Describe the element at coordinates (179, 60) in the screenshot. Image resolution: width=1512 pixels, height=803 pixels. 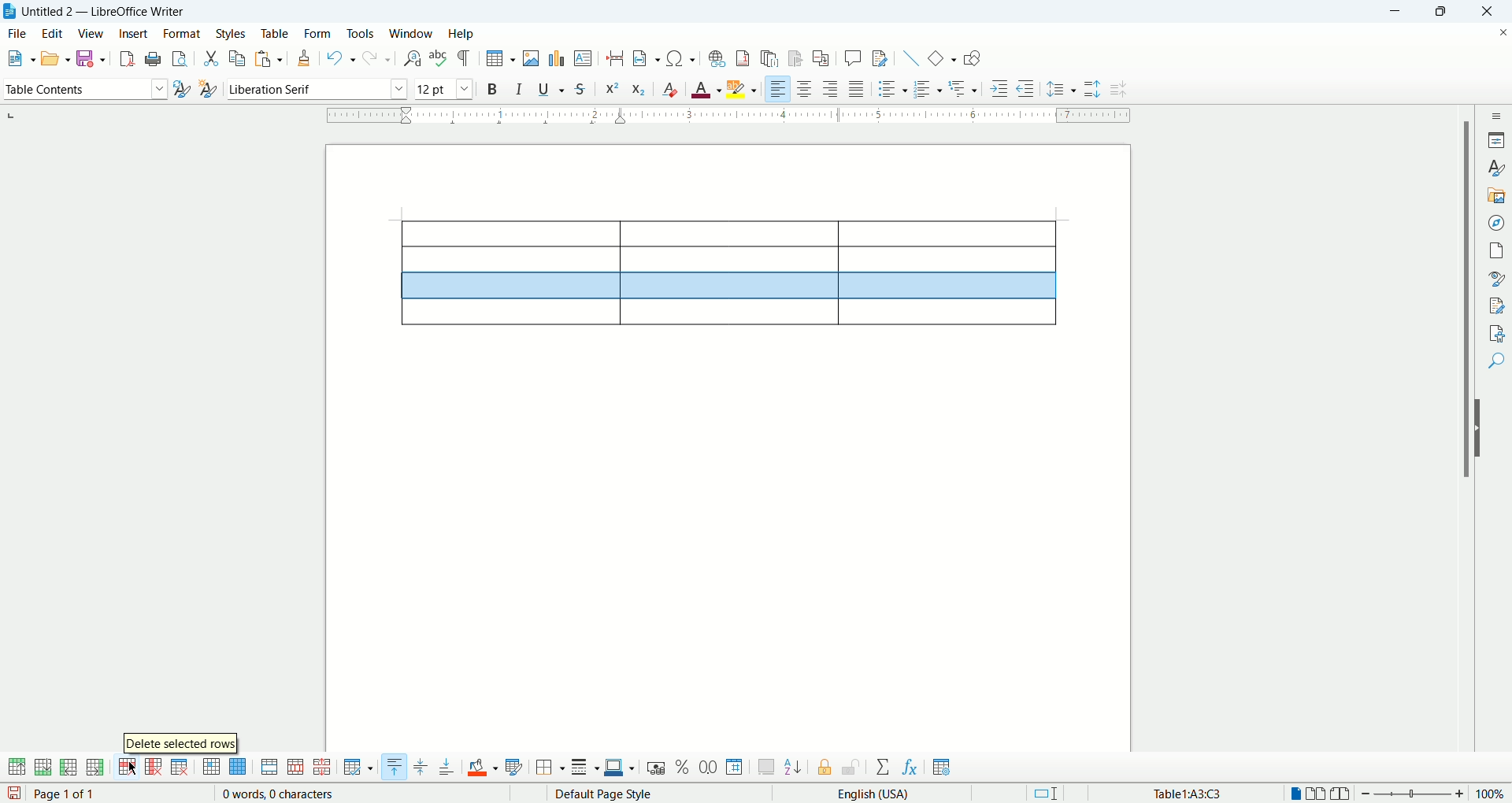
I see `print preview` at that location.